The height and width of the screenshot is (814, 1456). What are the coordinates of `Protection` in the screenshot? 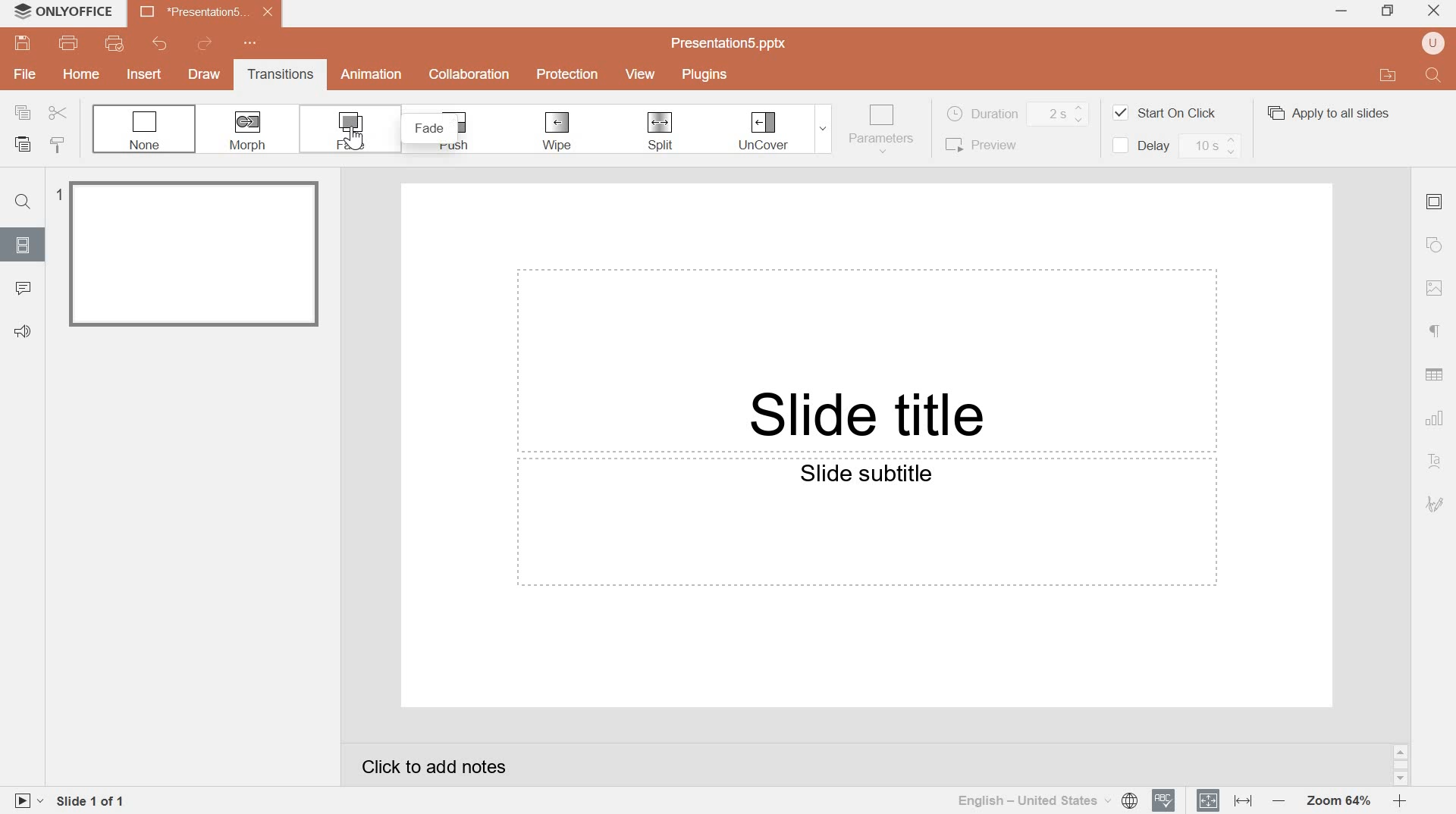 It's located at (569, 75).